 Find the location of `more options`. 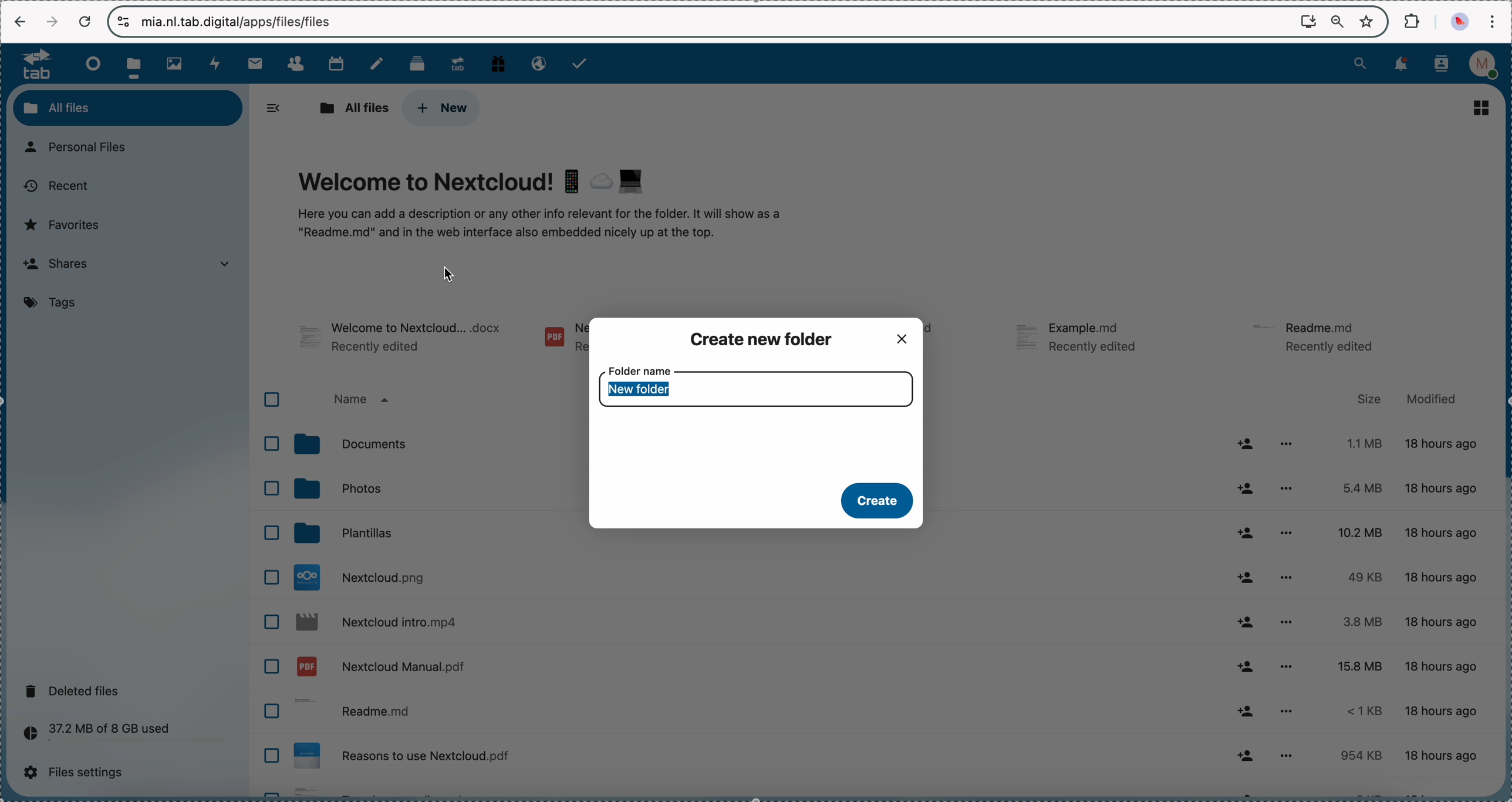

more options is located at coordinates (1293, 441).